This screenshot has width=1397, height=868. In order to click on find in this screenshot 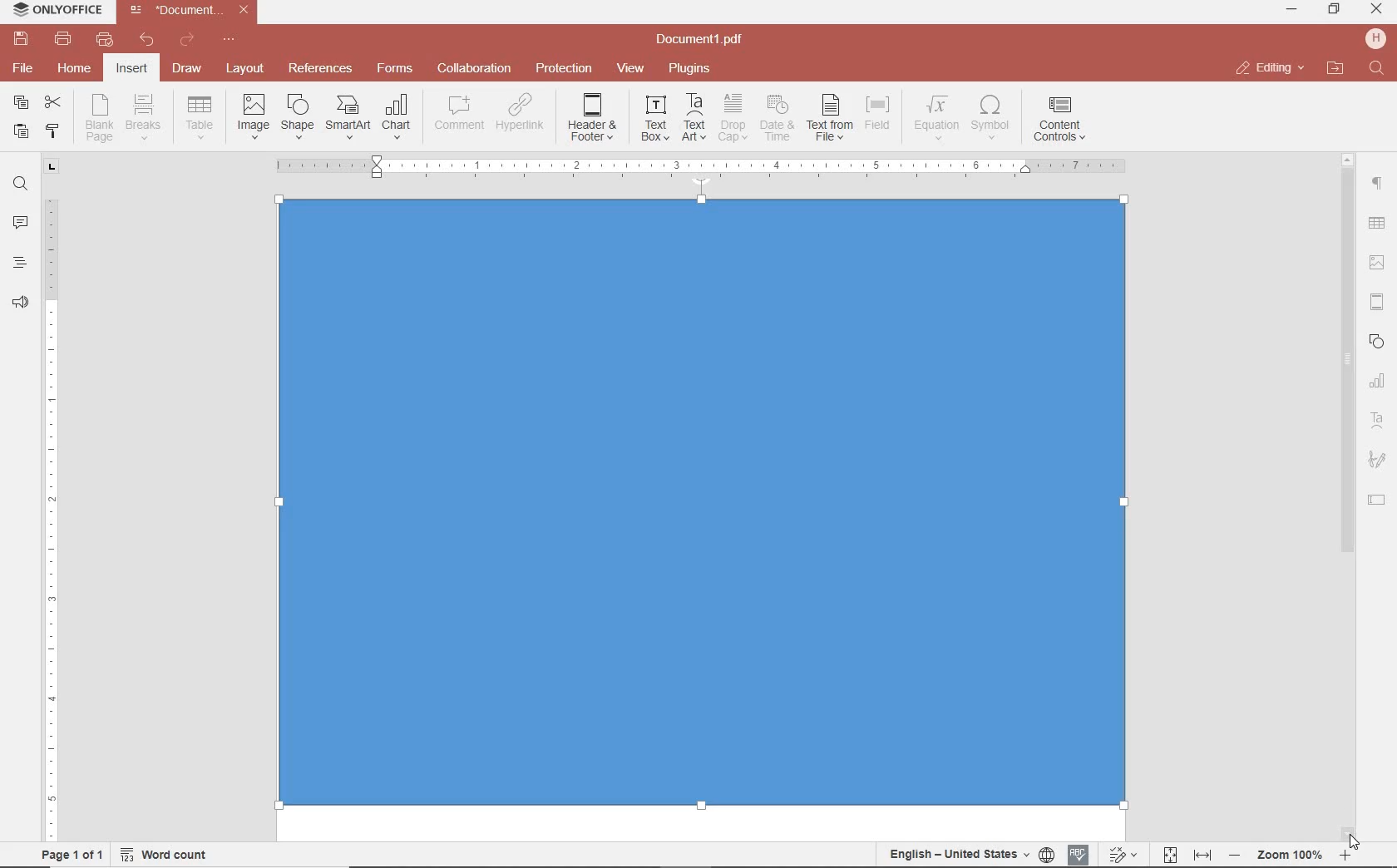, I will do `click(20, 182)`.